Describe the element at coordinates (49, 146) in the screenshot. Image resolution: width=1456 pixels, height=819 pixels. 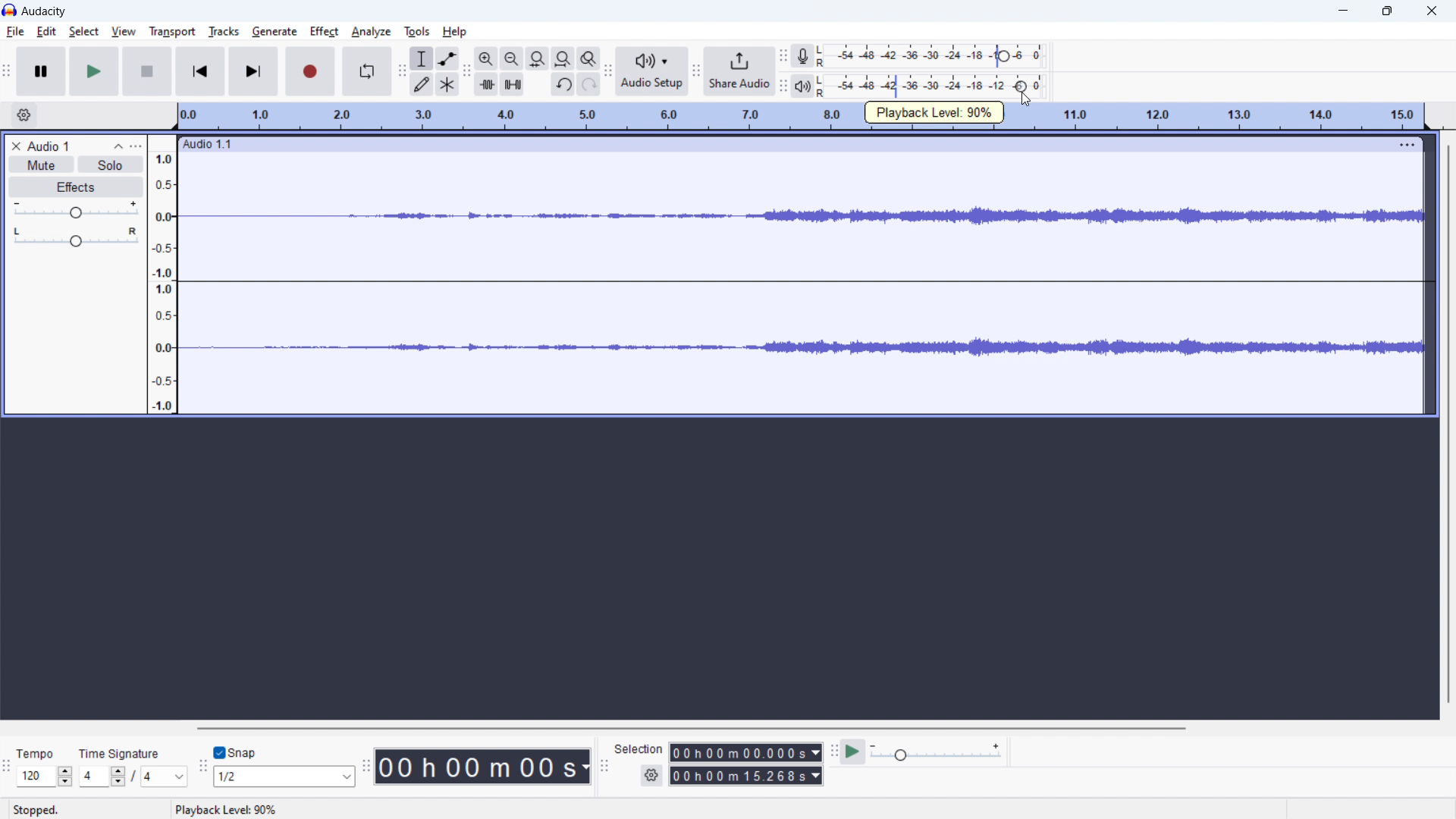
I see `project title` at that location.